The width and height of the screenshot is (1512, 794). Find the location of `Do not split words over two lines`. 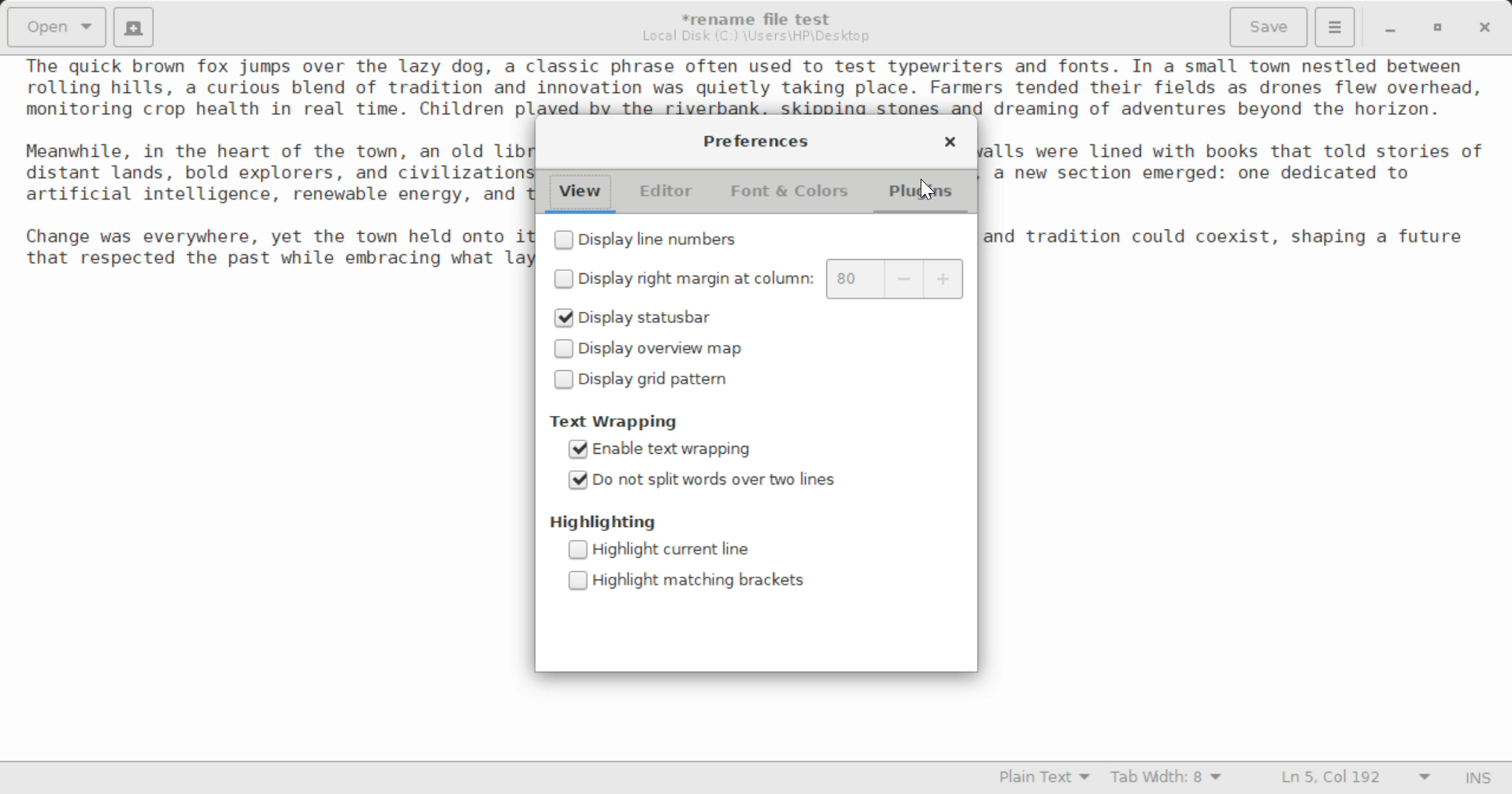

Do not split words over two lines is located at coordinates (707, 480).